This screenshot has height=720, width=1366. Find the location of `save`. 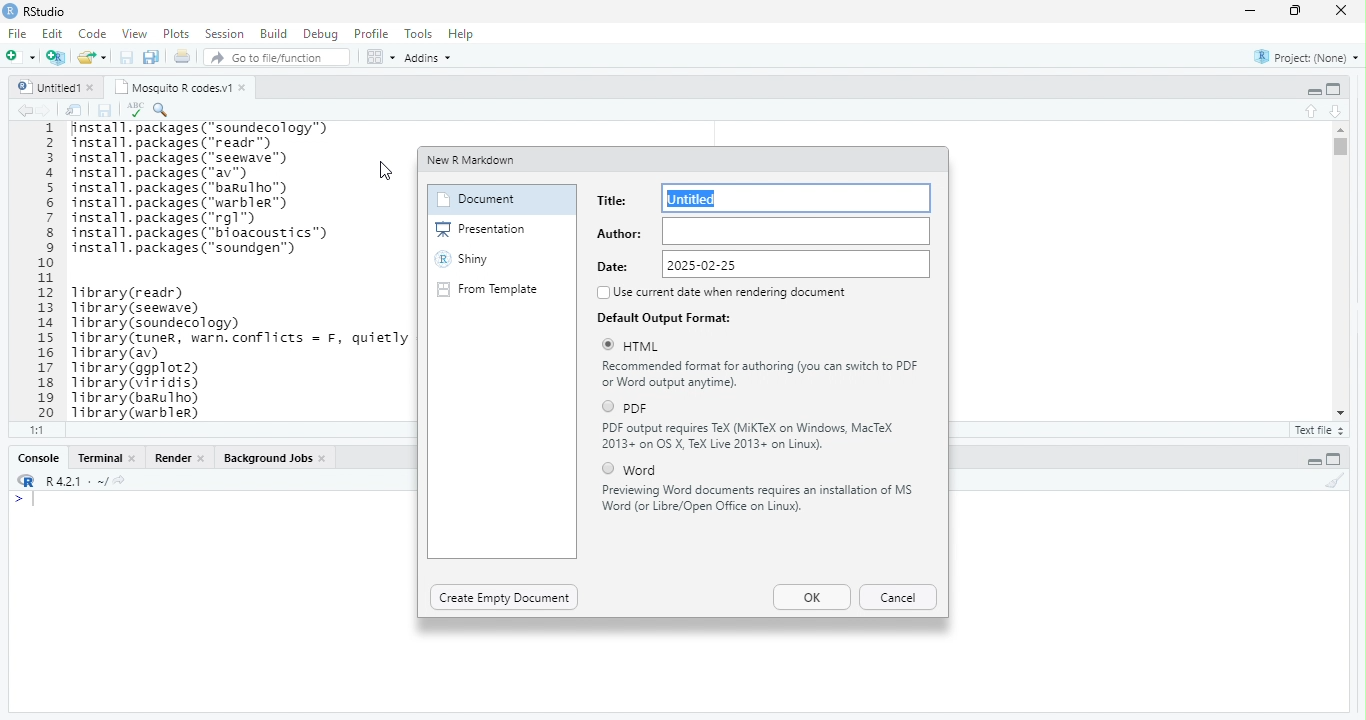

save is located at coordinates (128, 57).